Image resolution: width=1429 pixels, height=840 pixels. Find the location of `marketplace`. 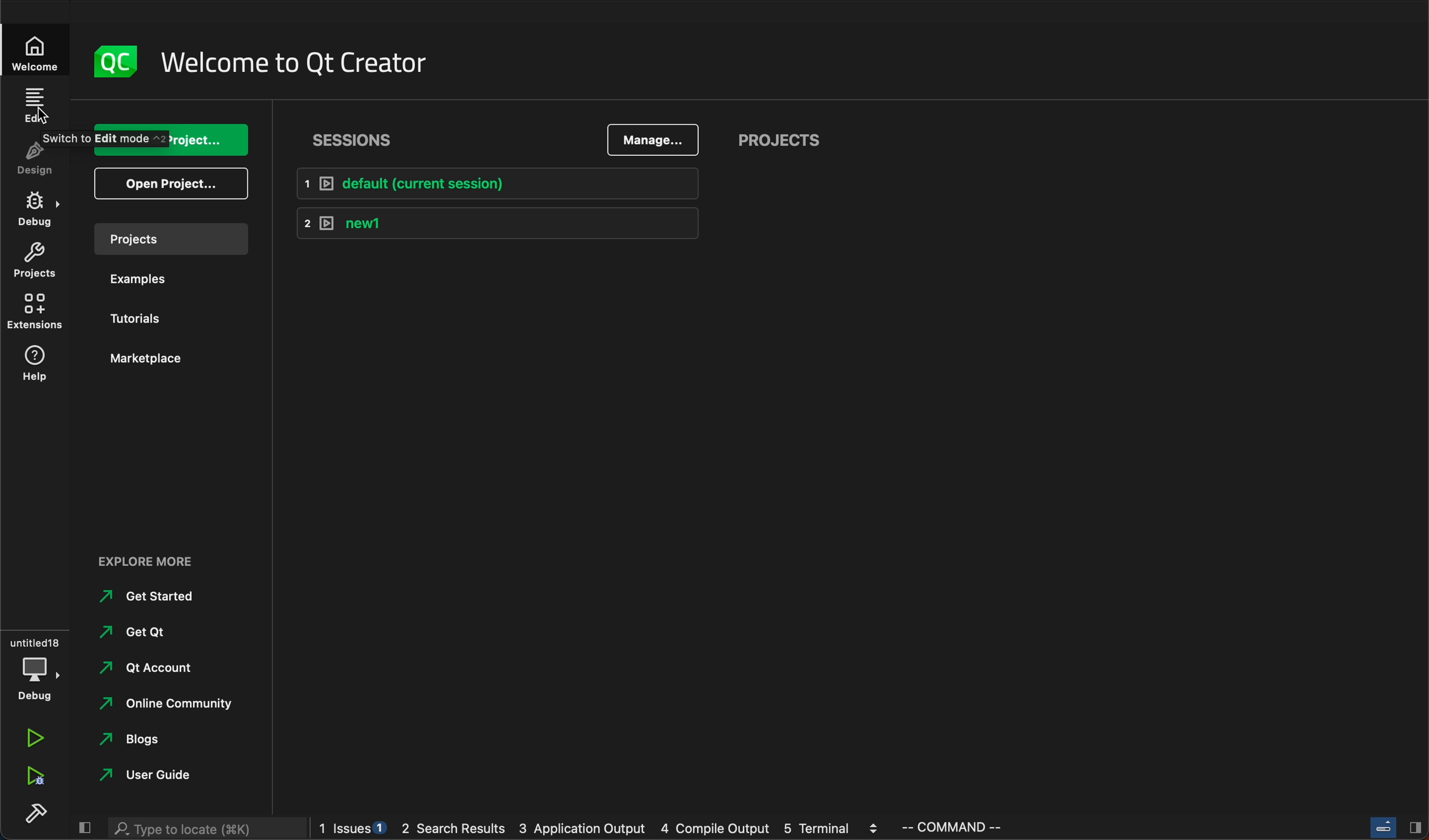

marketplace is located at coordinates (145, 359).